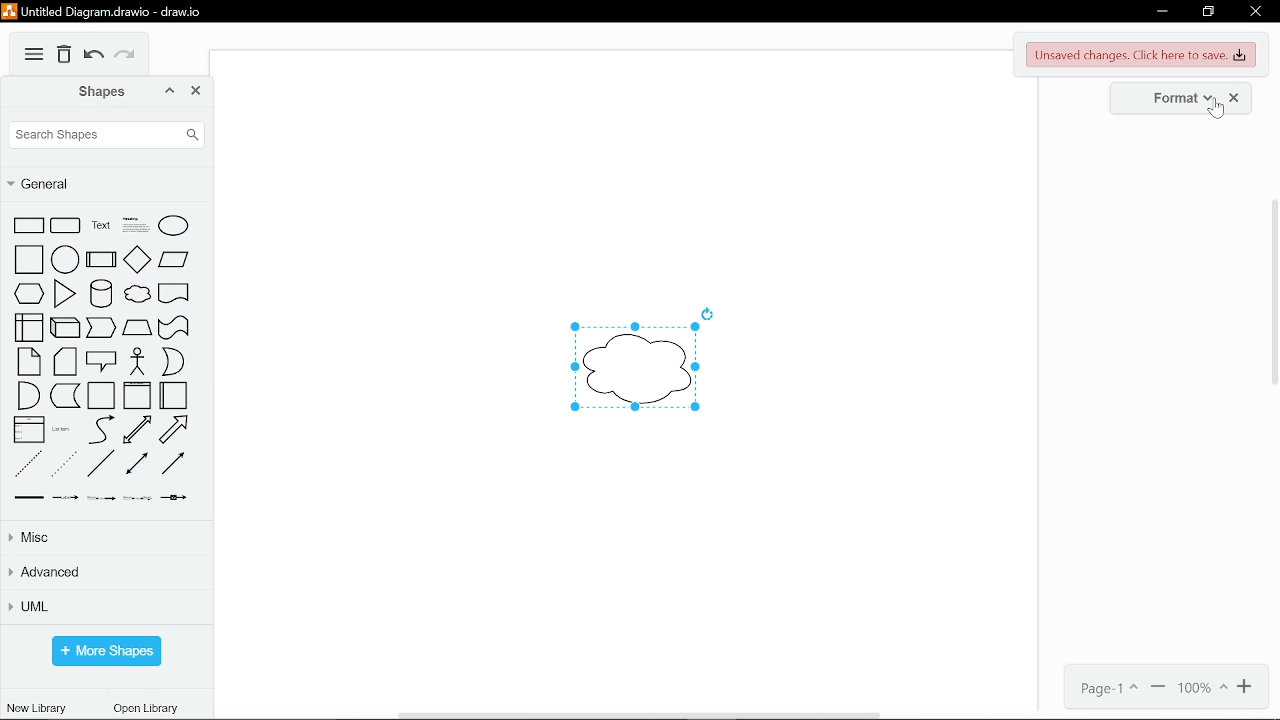 The image size is (1280, 720). Describe the element at coordinates (63, 293) in the screenshot. I see `triangle` at that location.